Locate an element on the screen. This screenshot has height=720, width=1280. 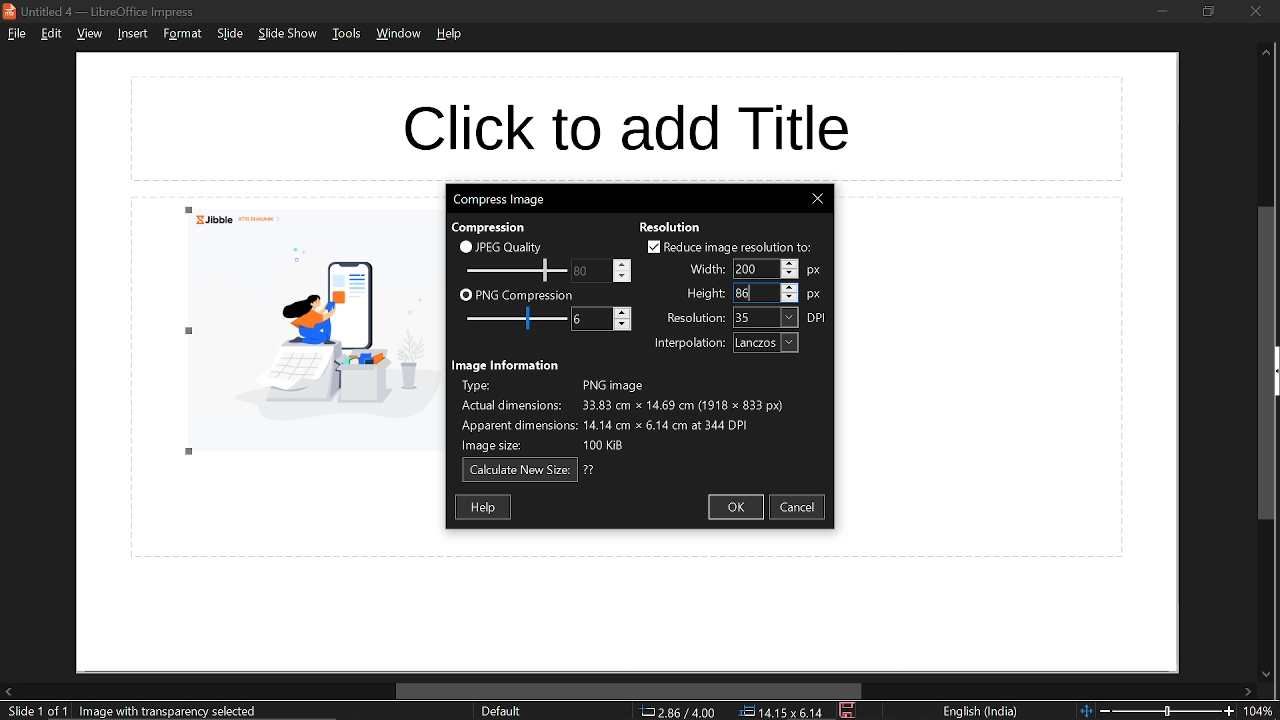
close is located at coordinates (1255, 11).